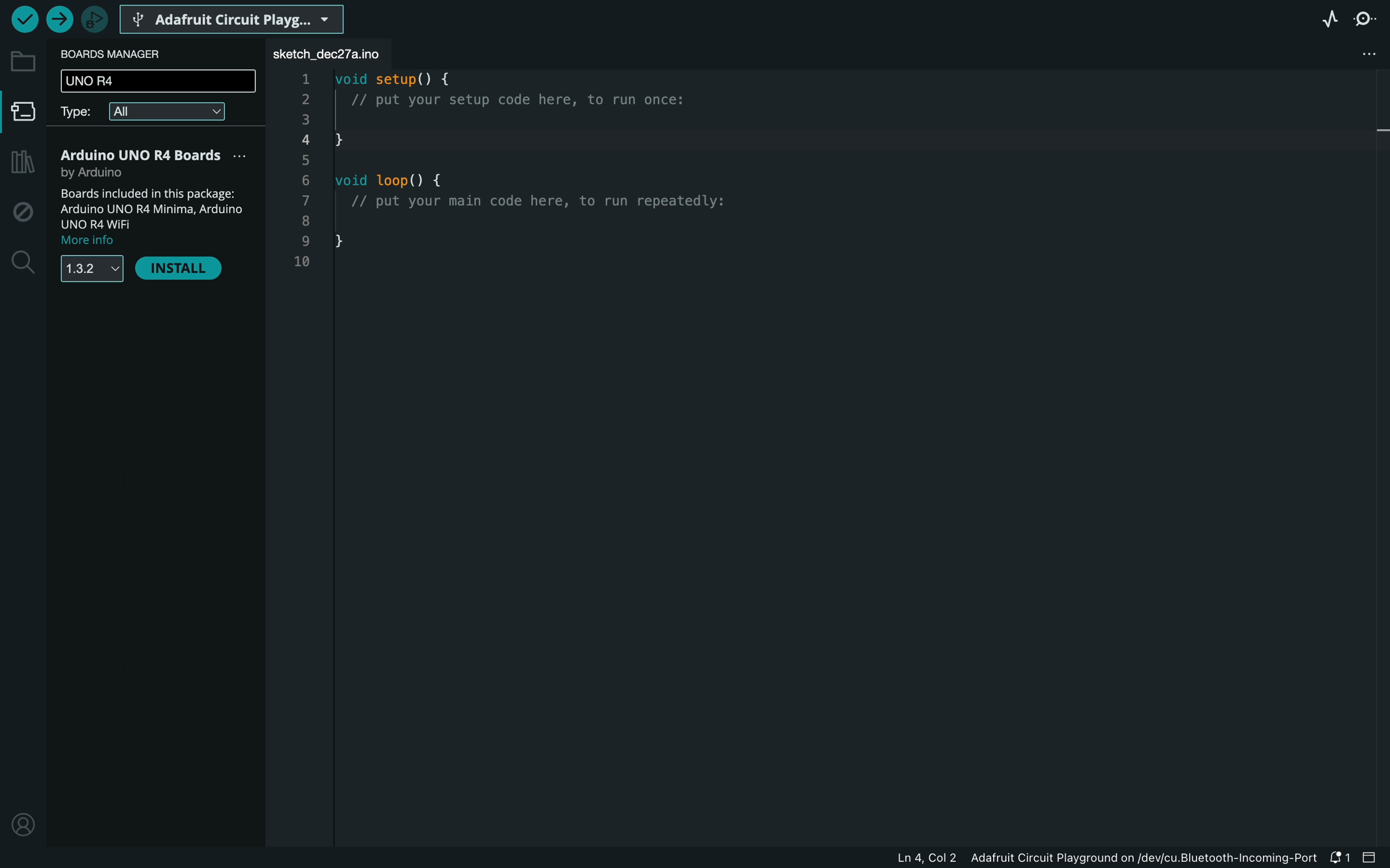 The height and width of the screenshot is (868, 1390). Describe the element at coordinates (96, 241) in the screenshot. I see `more info` at that location.